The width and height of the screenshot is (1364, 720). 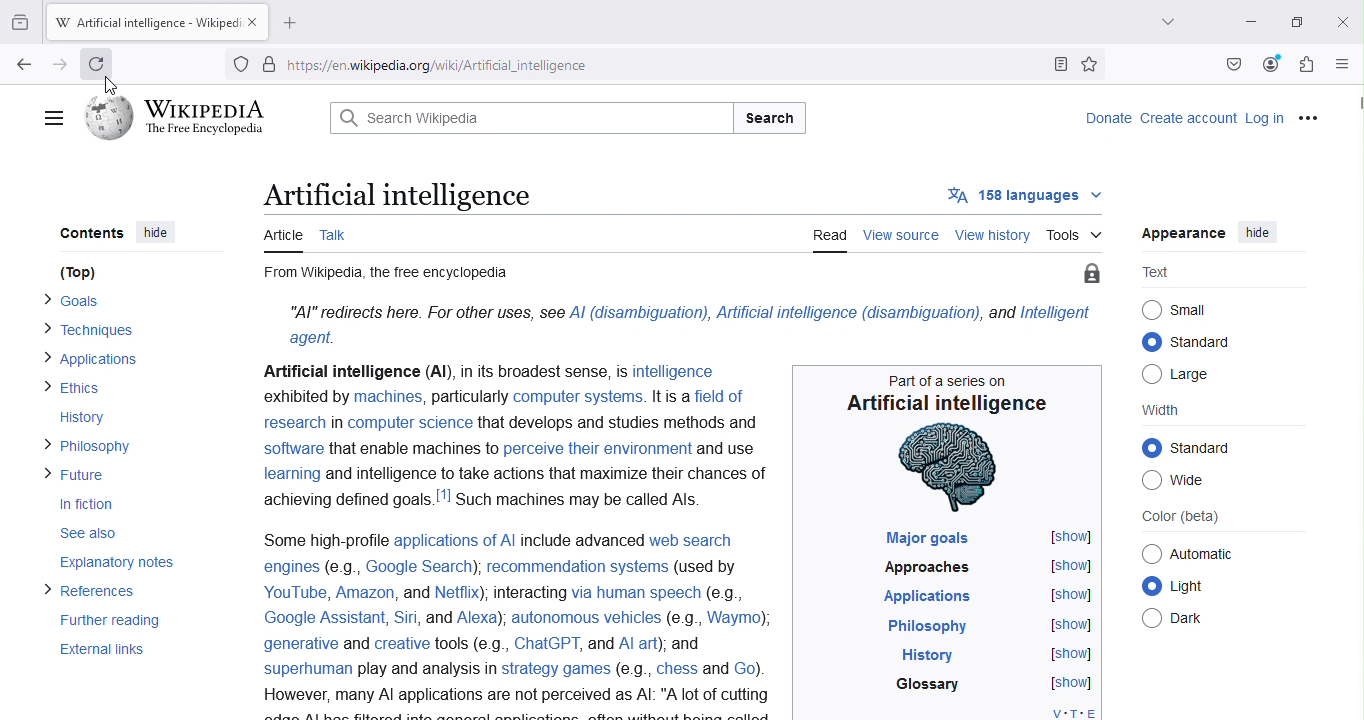 What do you see at coordinates (618, 422) in the screenshot?
I see `that develops and studies methods and` at bounding box center [618, 422].